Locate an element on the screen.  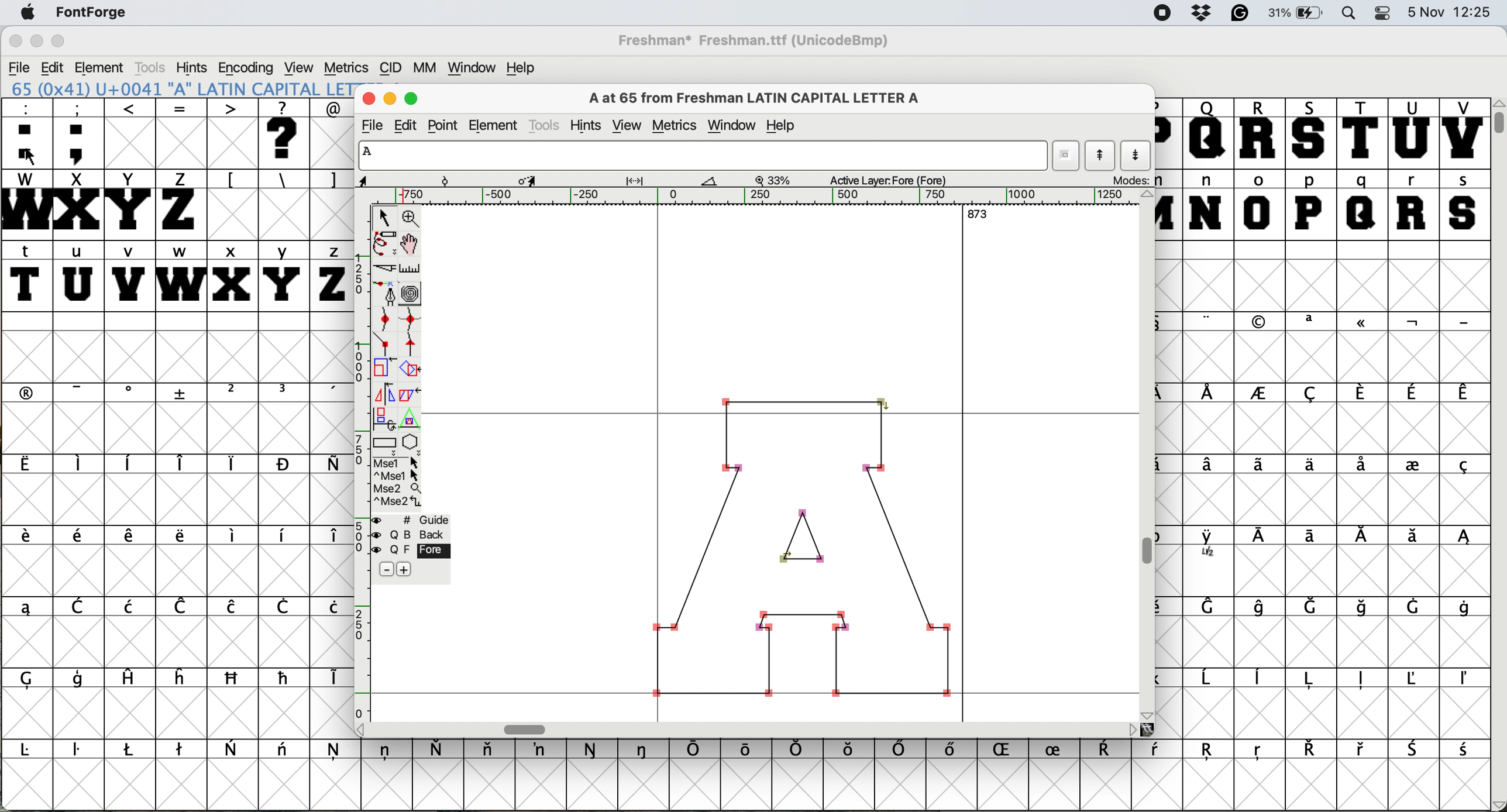
rectangle or box is located at coordinates (386, 443).